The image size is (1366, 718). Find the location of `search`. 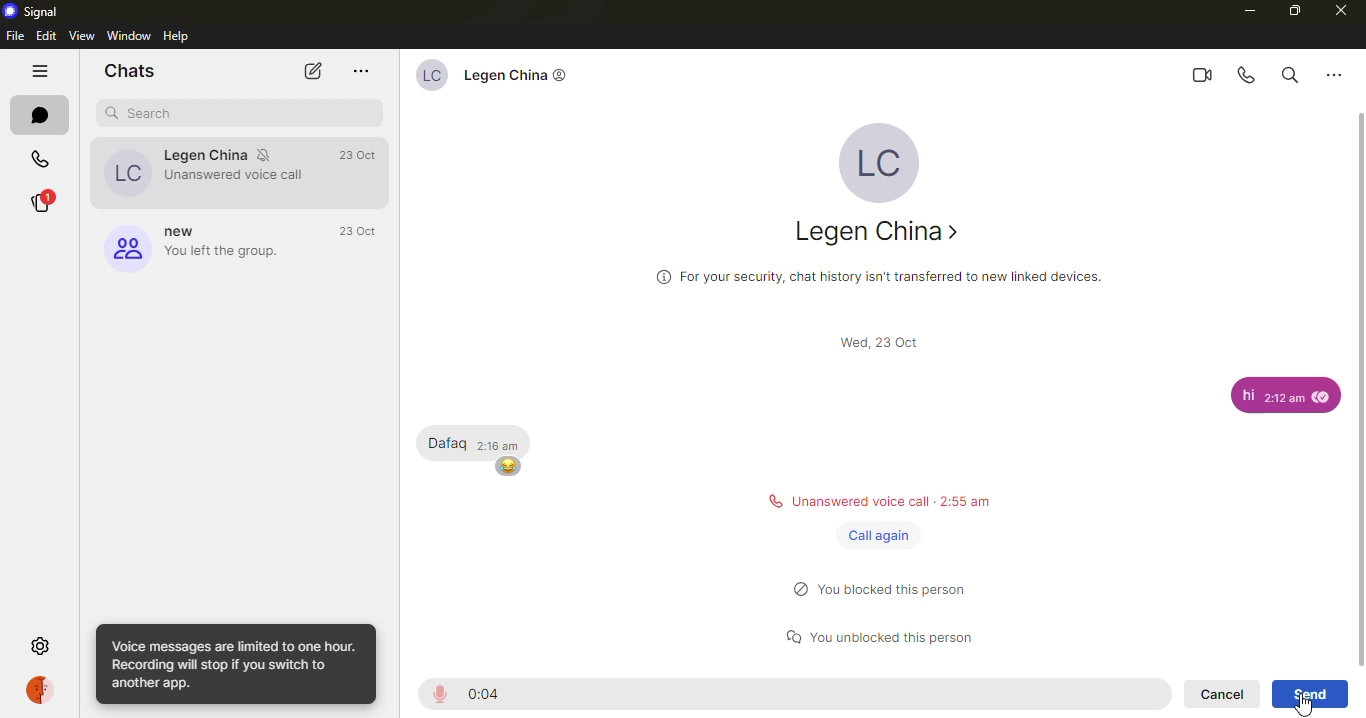

search is located at coordinates (1288, 72).